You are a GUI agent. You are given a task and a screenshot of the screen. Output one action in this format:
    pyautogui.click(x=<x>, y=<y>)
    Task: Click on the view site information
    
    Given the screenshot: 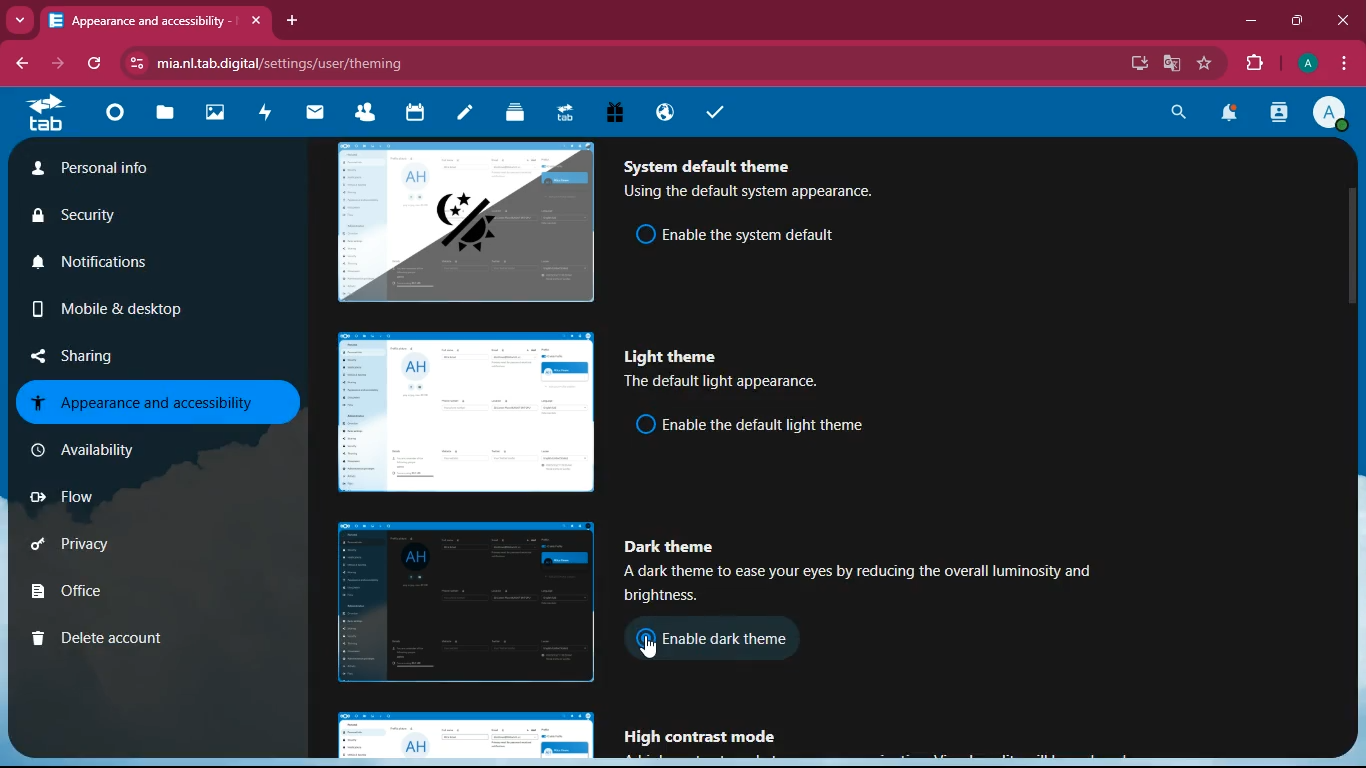 What is the action you would take?
    pyautogui.click(x=139, y=64)
    